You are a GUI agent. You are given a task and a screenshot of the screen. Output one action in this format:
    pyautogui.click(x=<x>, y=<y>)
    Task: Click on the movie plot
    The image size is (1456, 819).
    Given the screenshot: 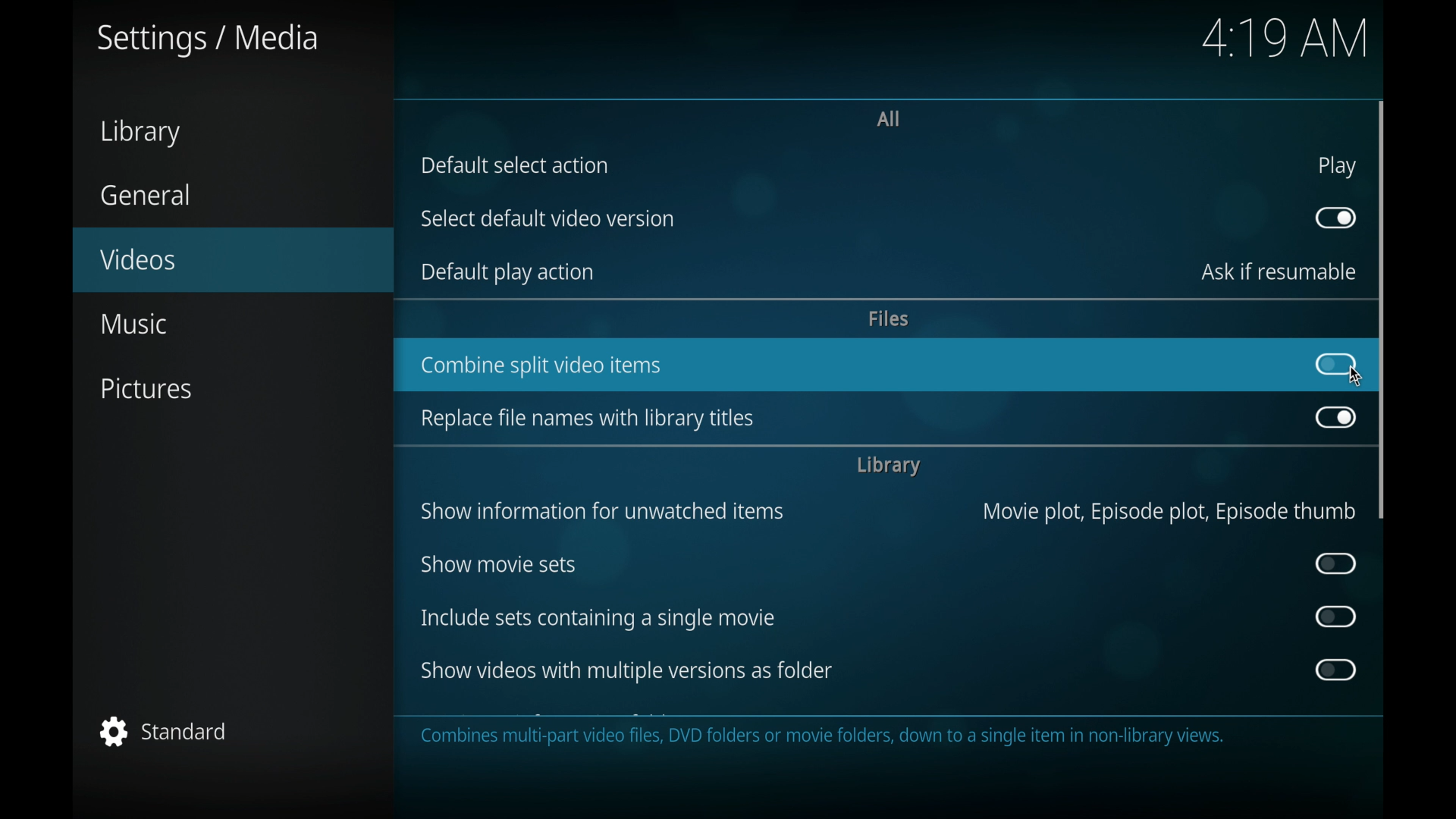 What is the action you would take?
    pyautogui.click(x=1169, y=513)
    